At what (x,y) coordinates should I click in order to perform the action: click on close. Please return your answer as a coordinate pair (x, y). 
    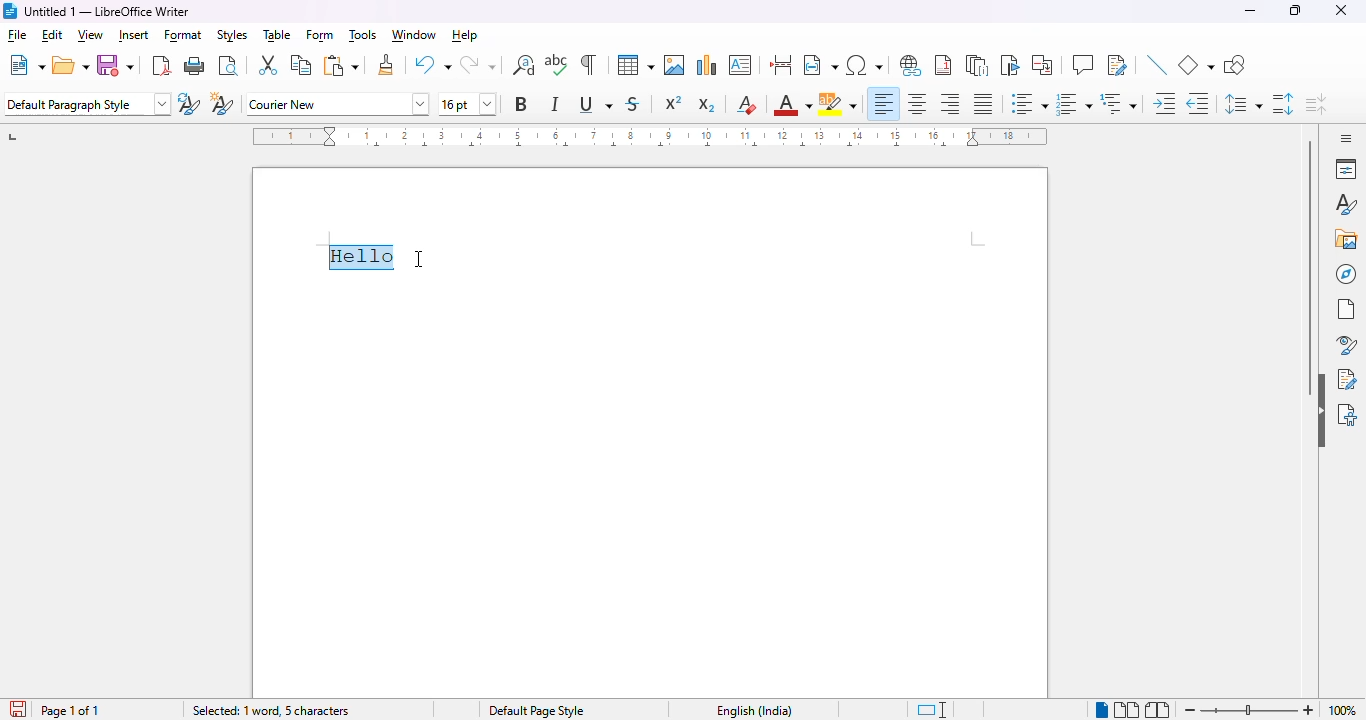
    Looking at the image, I should click on (1343, 10).